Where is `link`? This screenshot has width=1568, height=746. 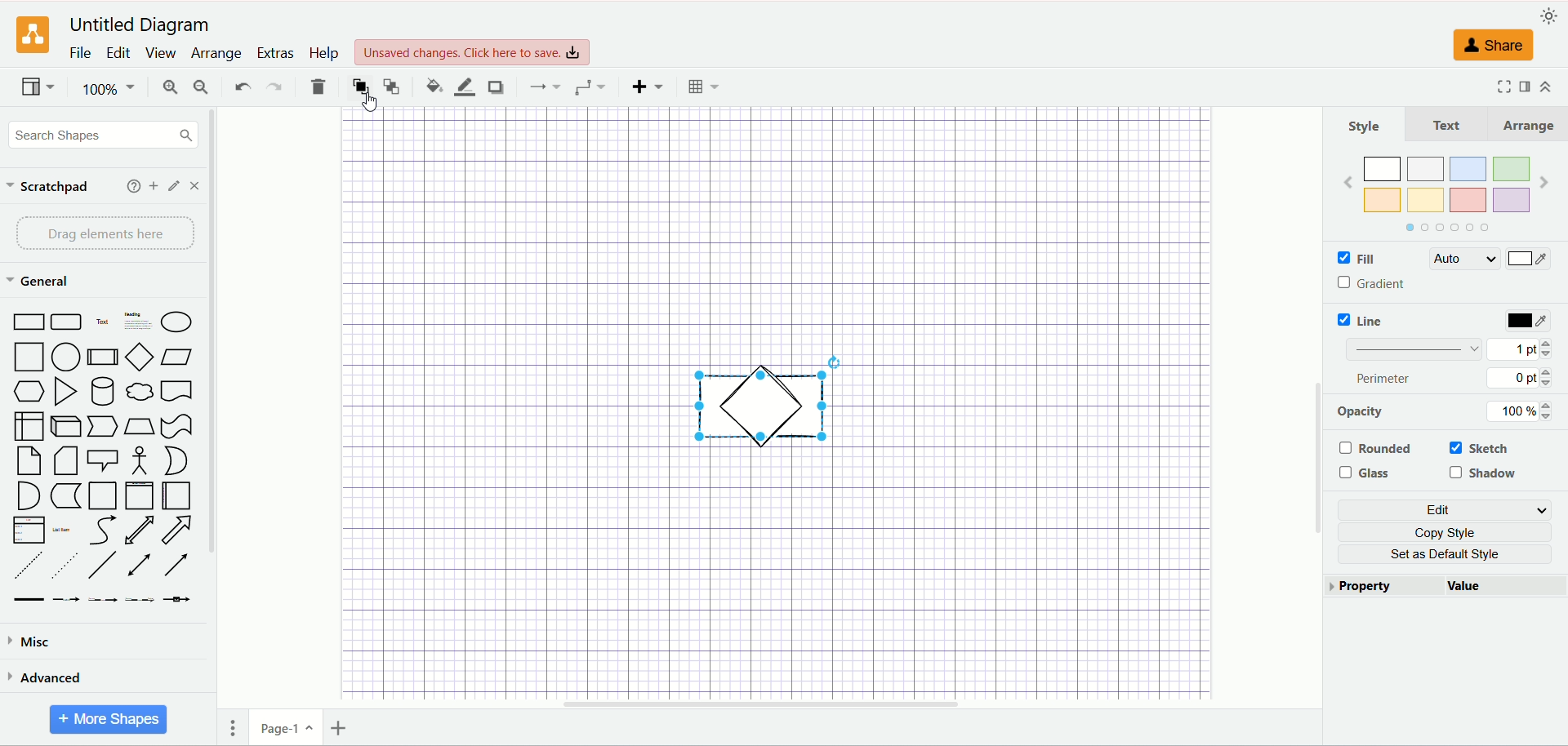
link is located at coordinates (25, 600).